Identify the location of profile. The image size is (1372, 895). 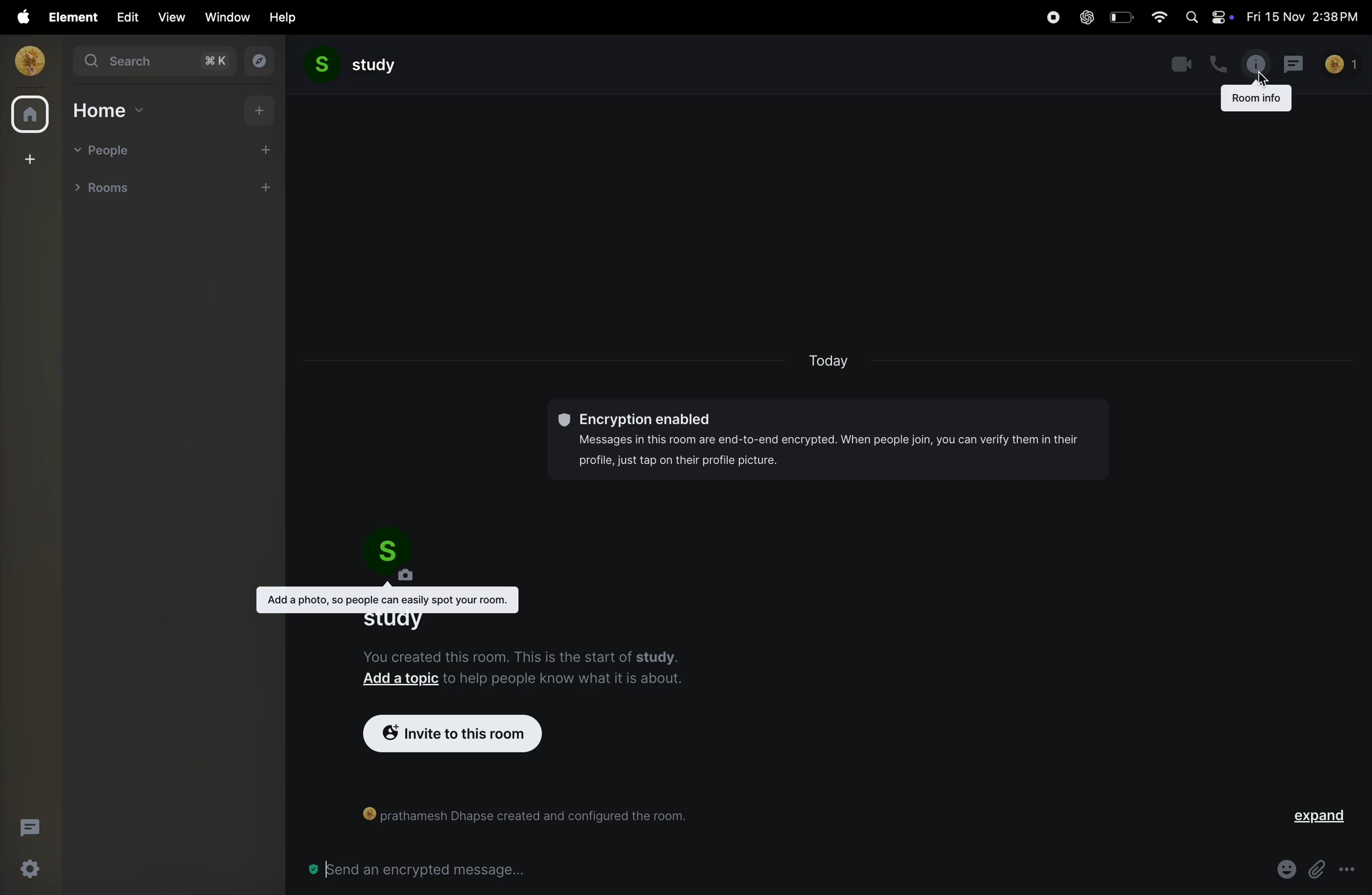
(26, 60).